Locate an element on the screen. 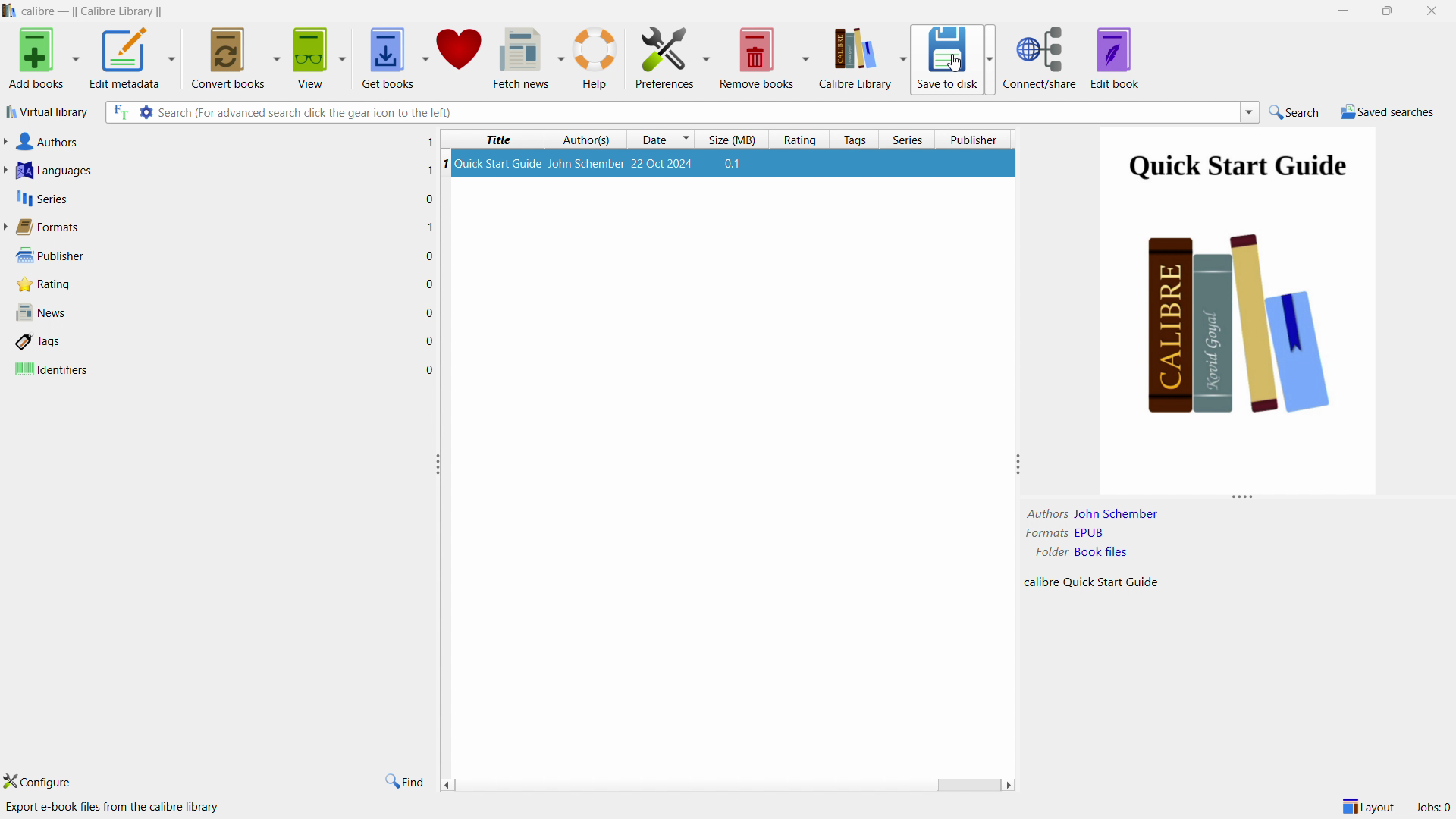 The height and width of the screenshot is (819, 1456). layout is located at coordinates (1363, 806).